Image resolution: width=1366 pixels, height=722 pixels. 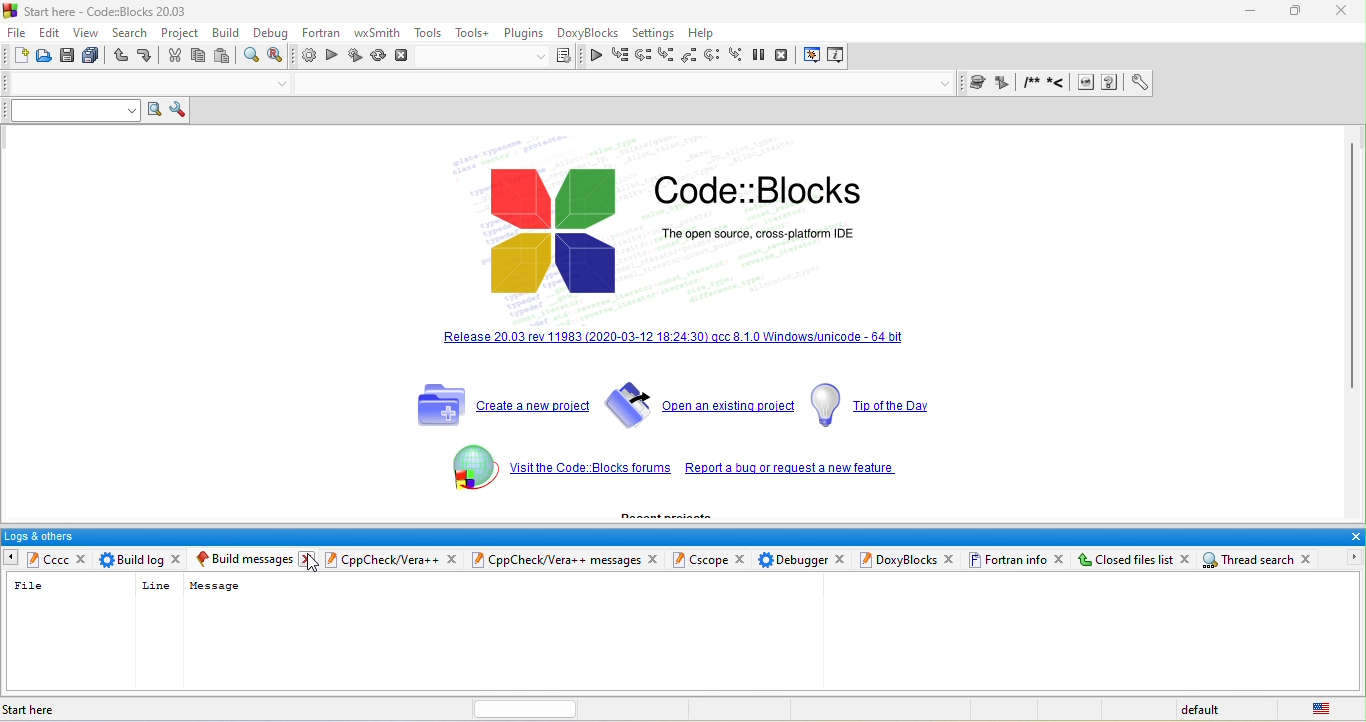 What do you see at coordinates (271, 34) in the screenshot?
I see `debug` at bounding box center [271, 34].